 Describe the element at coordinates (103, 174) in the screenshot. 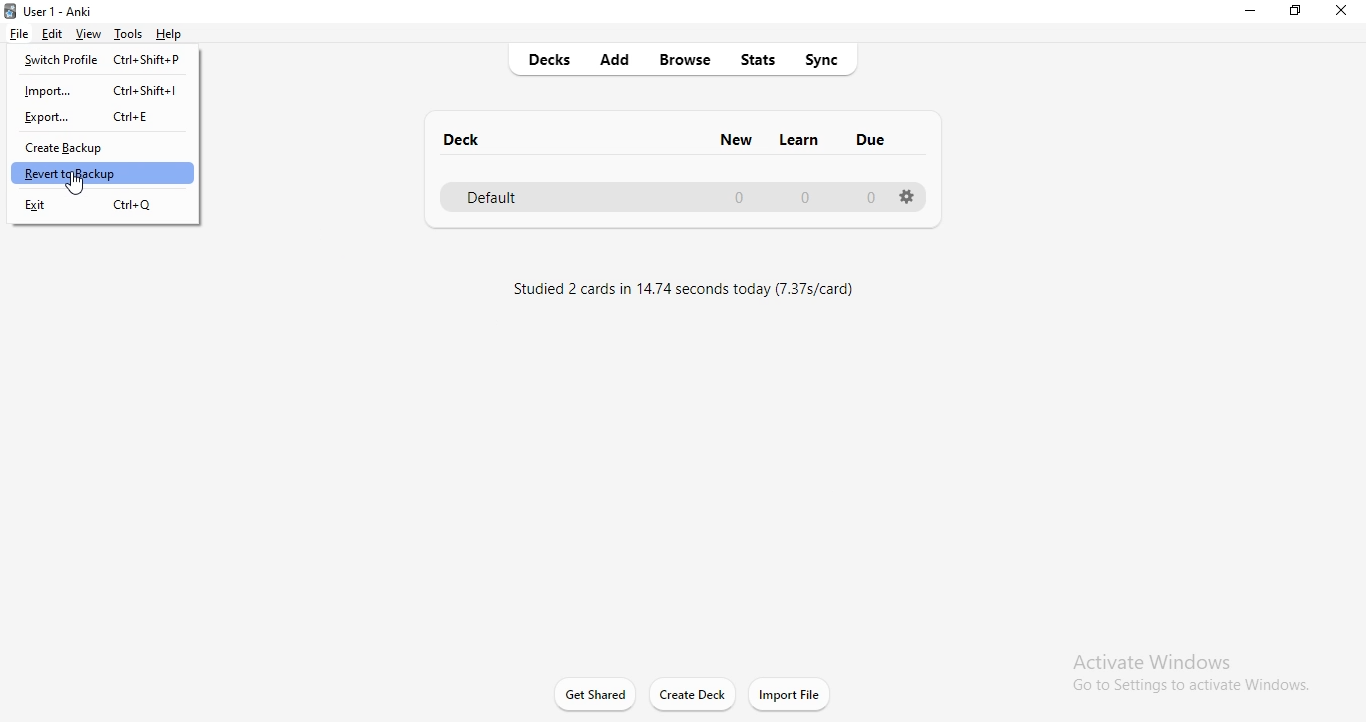

I see `revert to Backup` at that location.